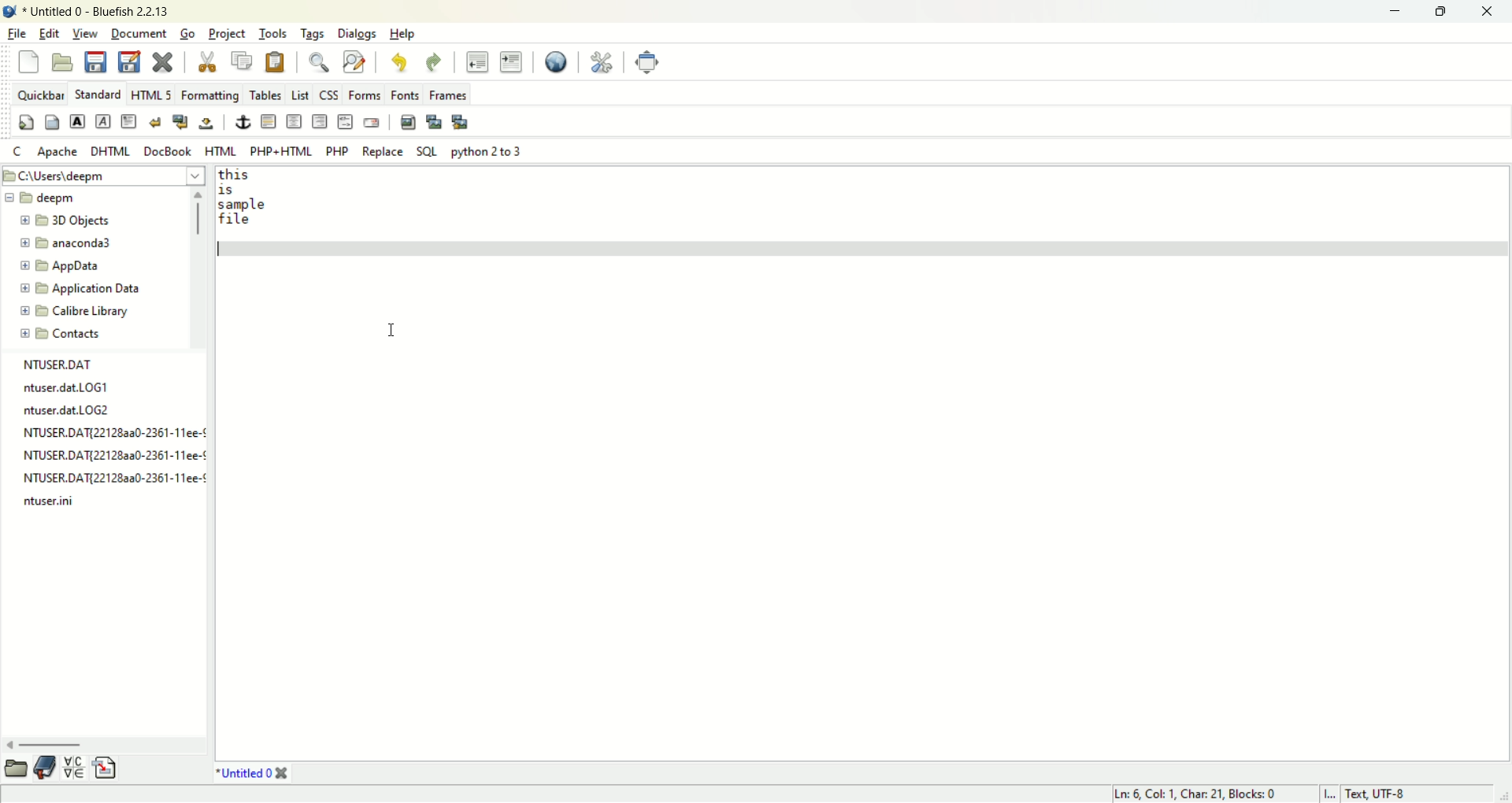 This screenshot has height=803, width=1512. What do you see at coordinates (212, 94) in the screenshot?
I see `formatting` at bounding box center [212, 94].